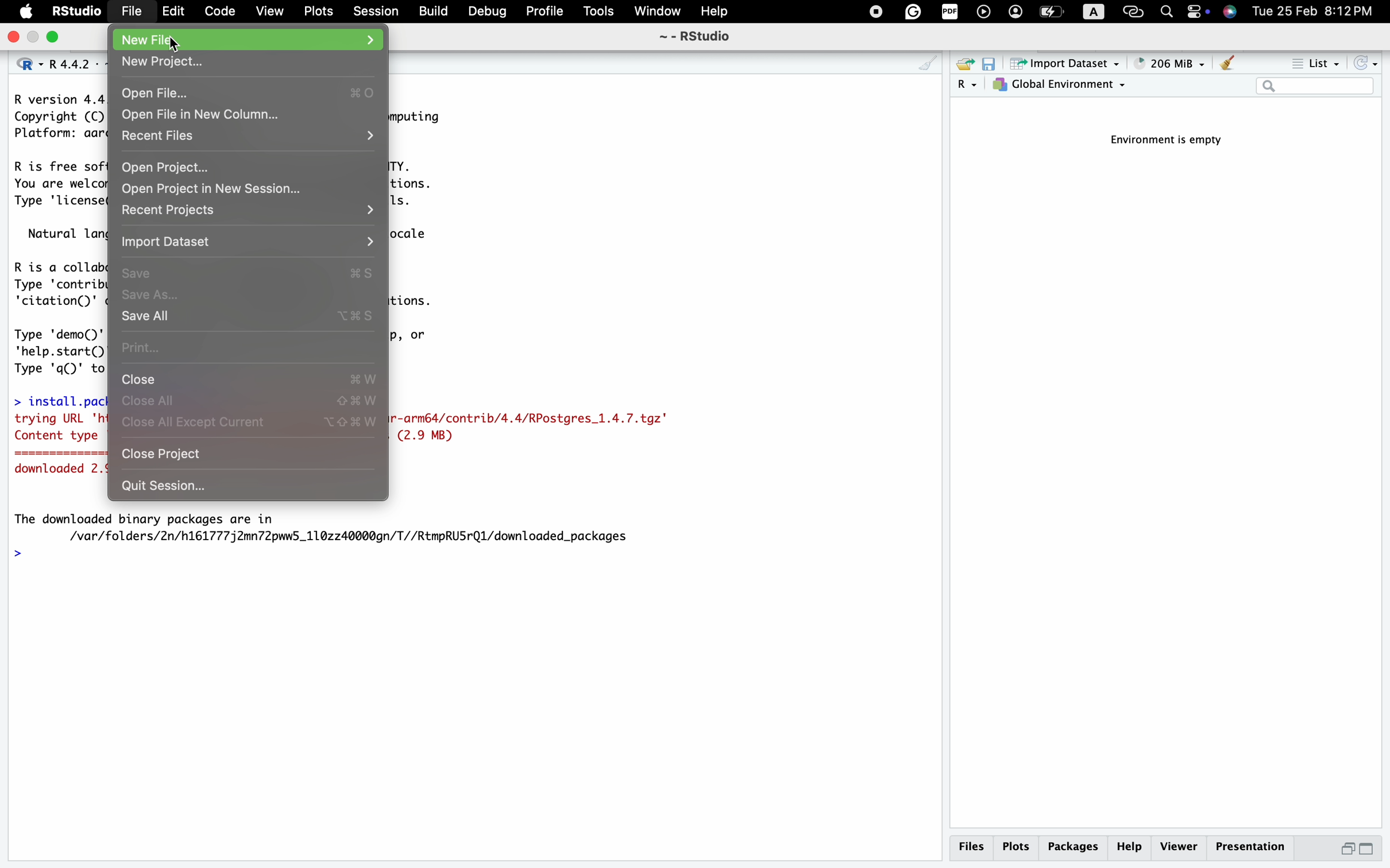  Describe the element at coordinates (717, 11) in the screenshot. I see `help` at that location.